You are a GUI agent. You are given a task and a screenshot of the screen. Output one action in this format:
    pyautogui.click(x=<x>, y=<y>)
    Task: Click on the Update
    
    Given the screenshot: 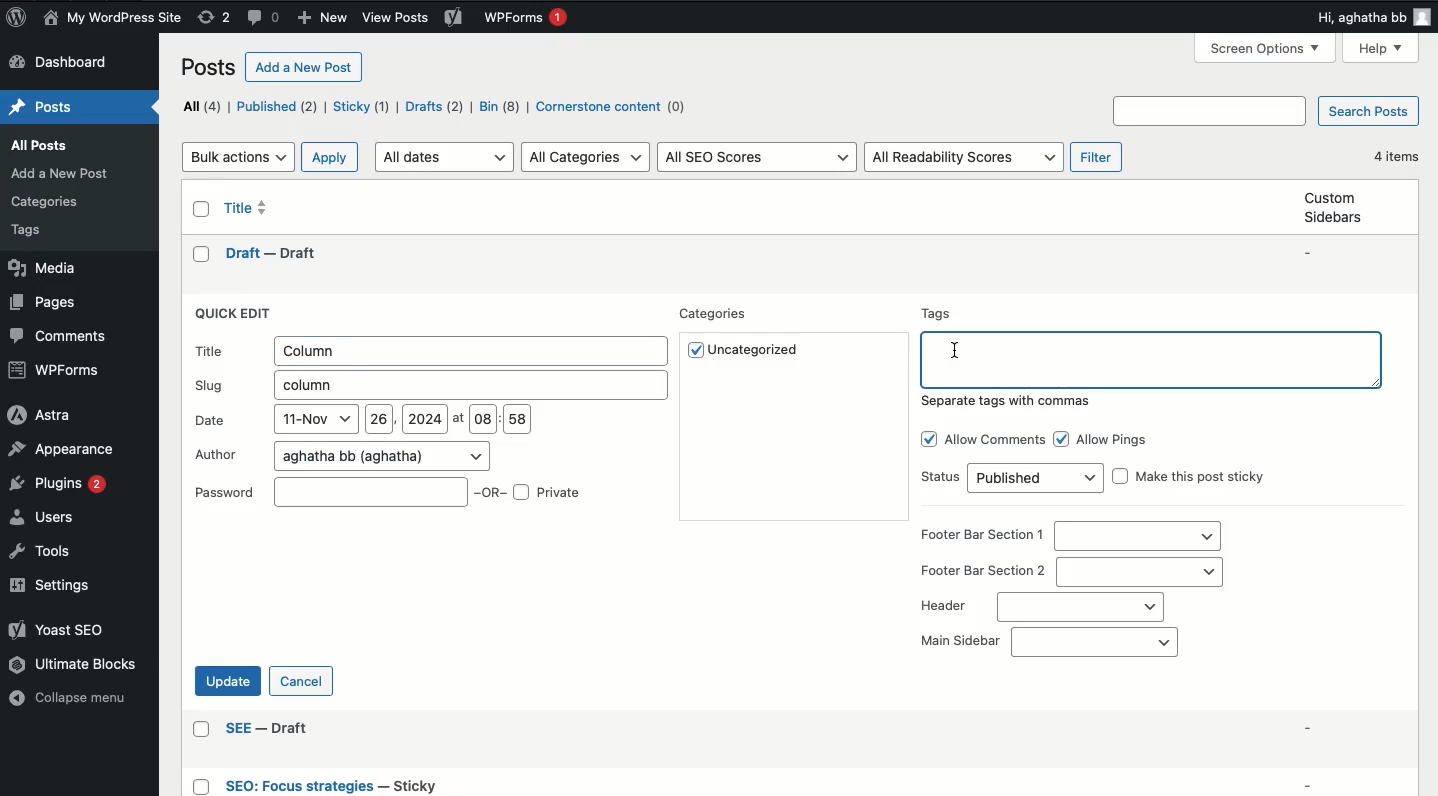 What is the action you would take?
    pyautogui.click(x=231, y=680)
    